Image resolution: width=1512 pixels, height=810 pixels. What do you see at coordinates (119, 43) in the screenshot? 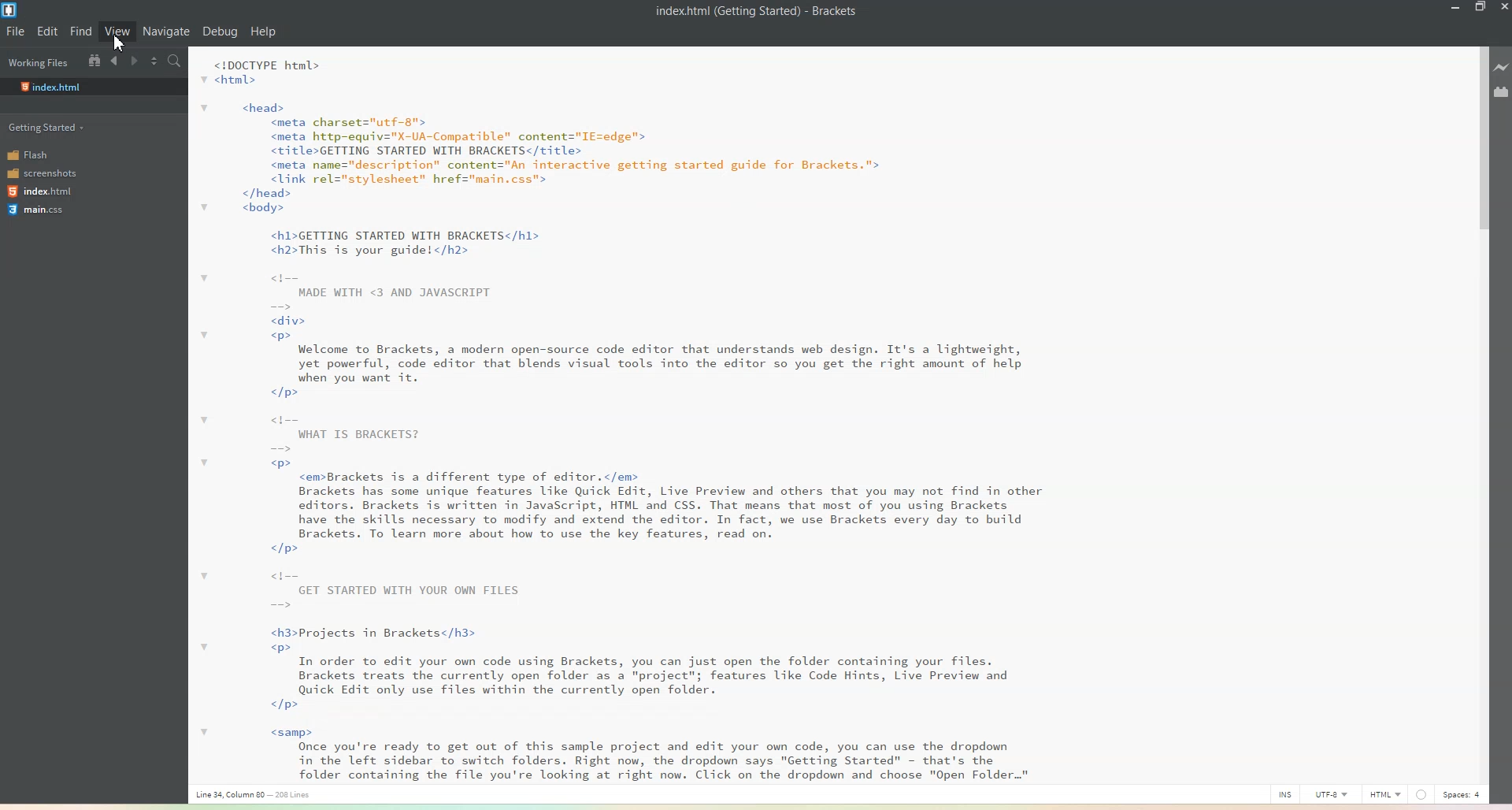
I see `cursor` at bounding box center [119, 43].